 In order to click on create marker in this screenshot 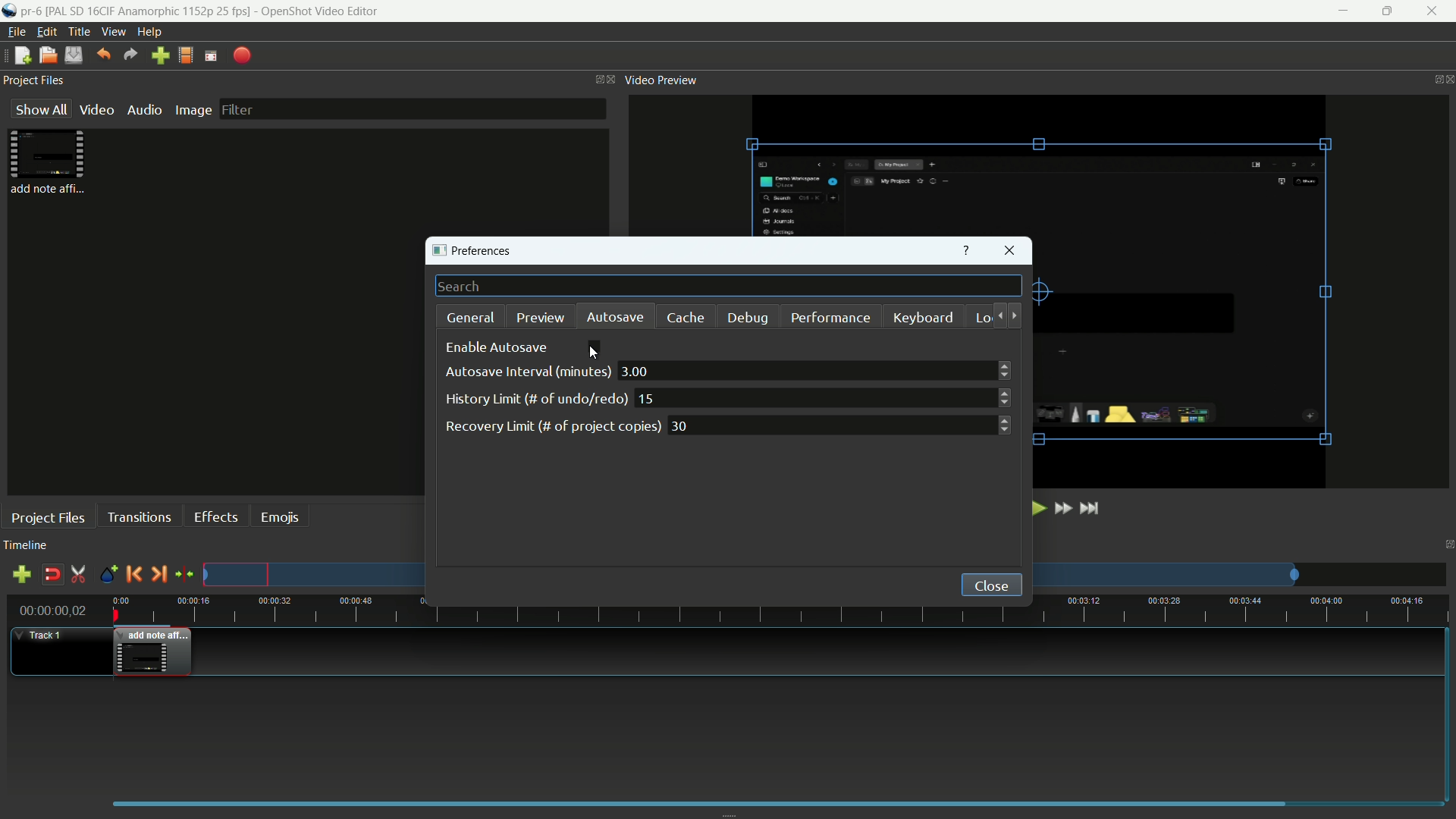, I will do `click(108, 575)`.